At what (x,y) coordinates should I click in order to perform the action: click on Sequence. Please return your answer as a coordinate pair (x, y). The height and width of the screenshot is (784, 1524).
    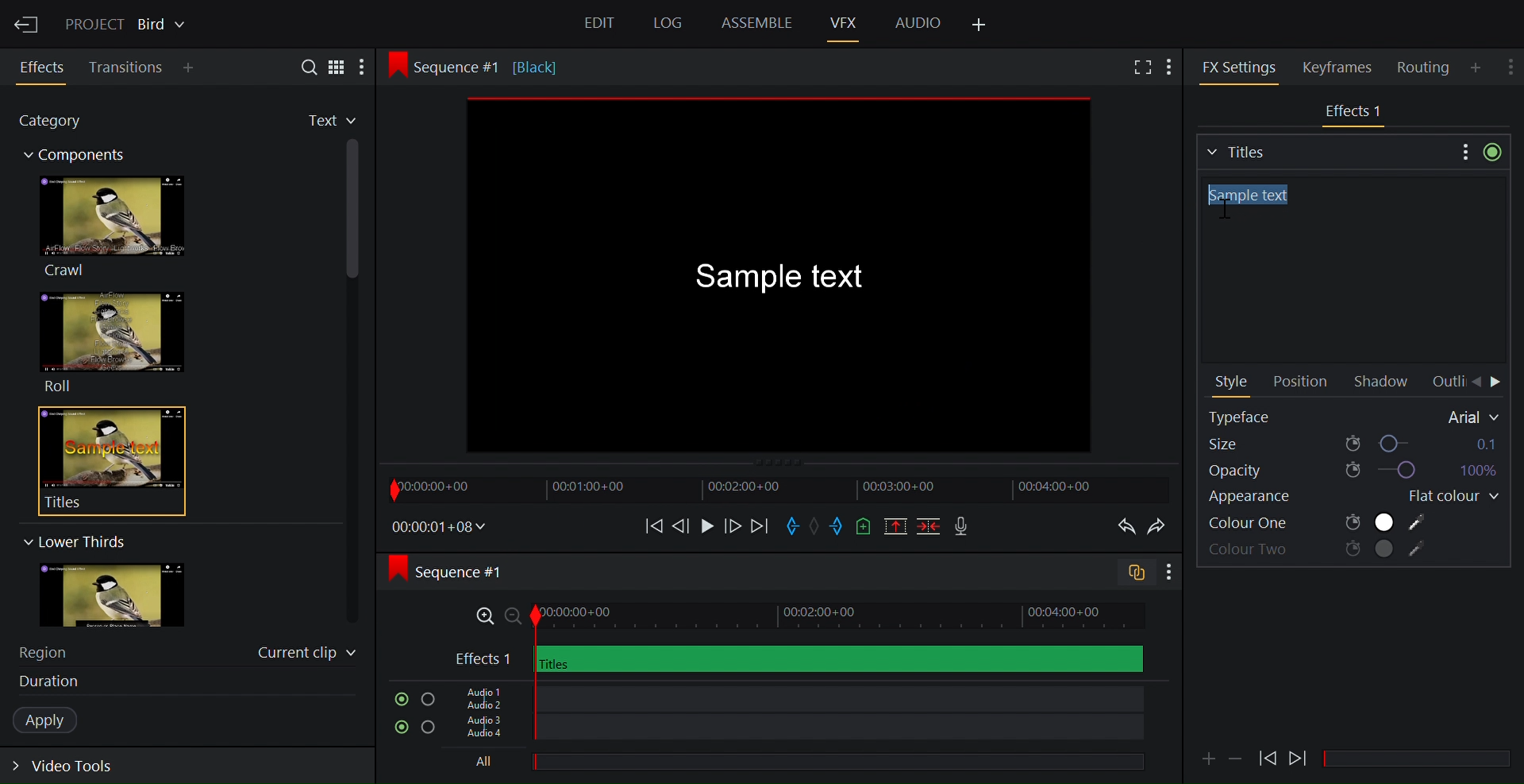
    Looking at the image, I should click on (495, 66).